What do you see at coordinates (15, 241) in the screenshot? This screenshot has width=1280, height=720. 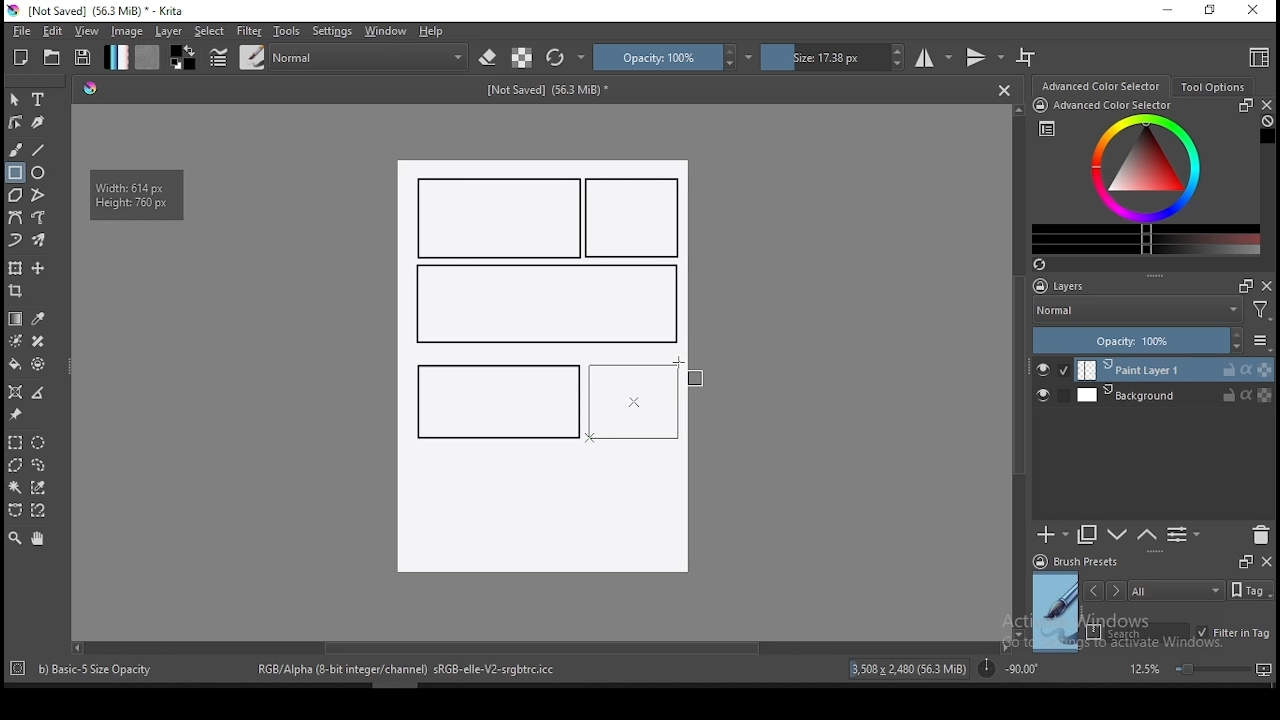 I see `dynamic brush tool` at bounding box center [15, 241].